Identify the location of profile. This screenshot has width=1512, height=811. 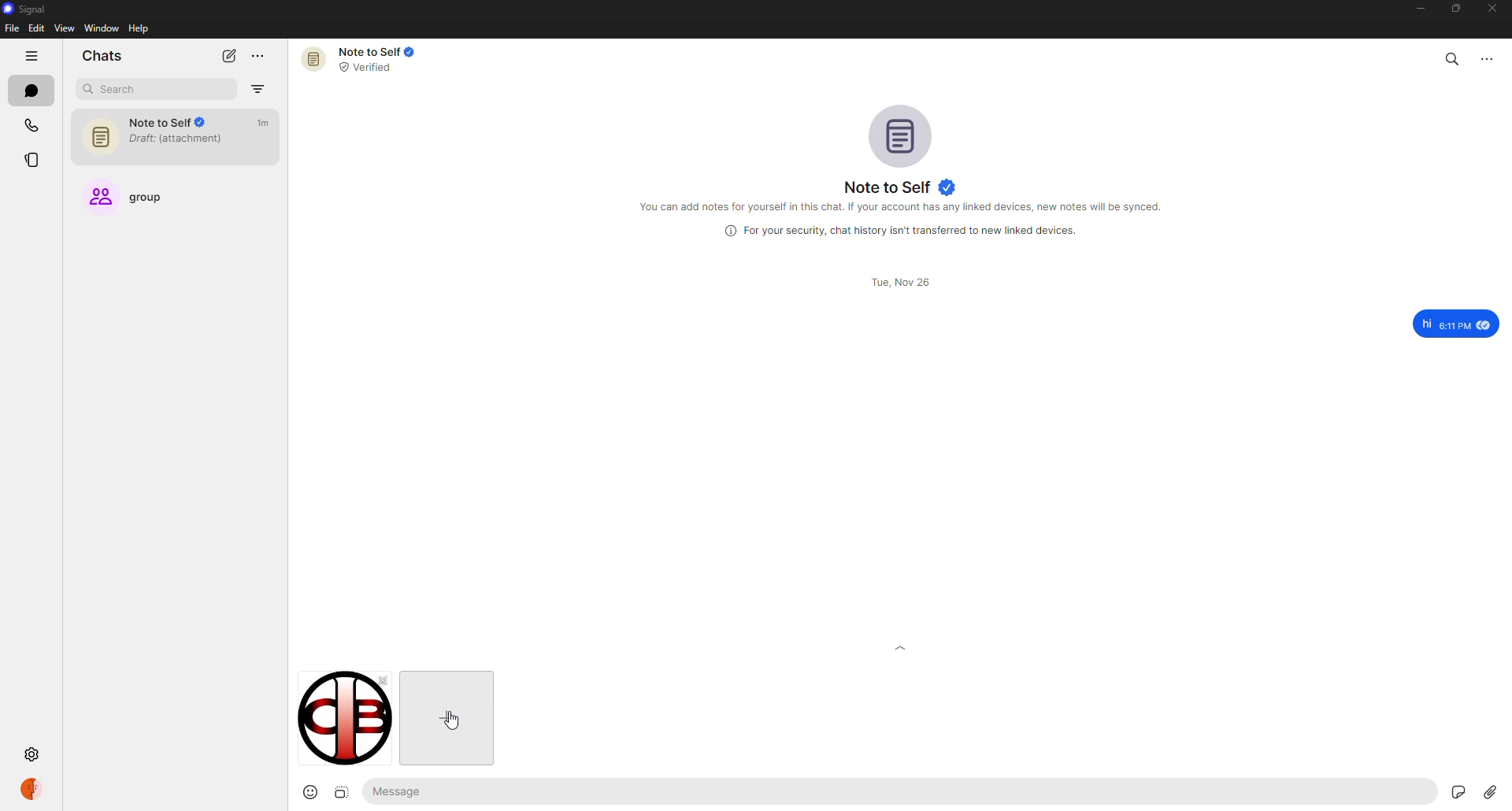
(31, 788).